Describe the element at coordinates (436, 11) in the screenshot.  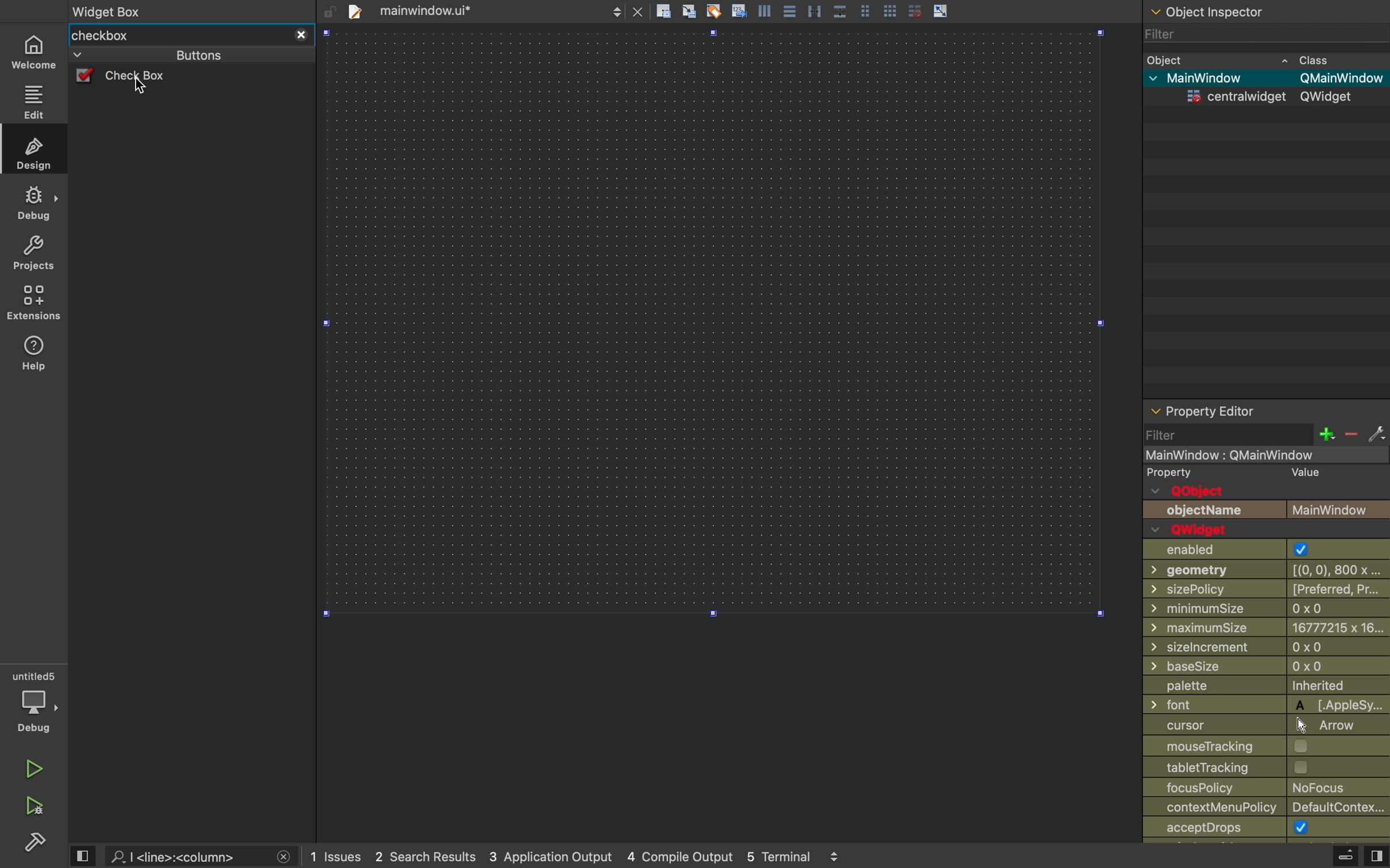
I see `file tab` at that location.